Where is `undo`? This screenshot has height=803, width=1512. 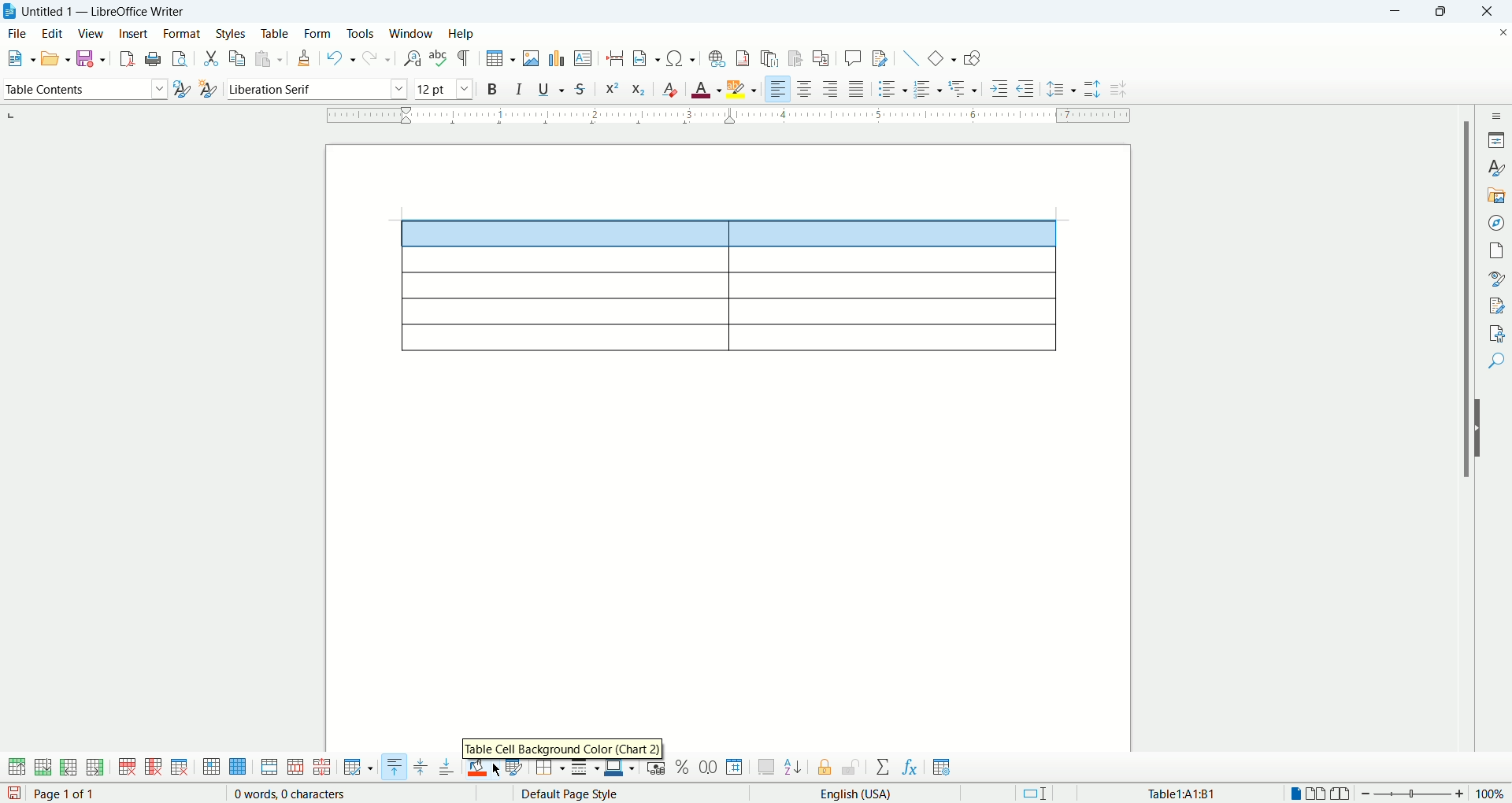 undo is located at coordinates (342, 59).